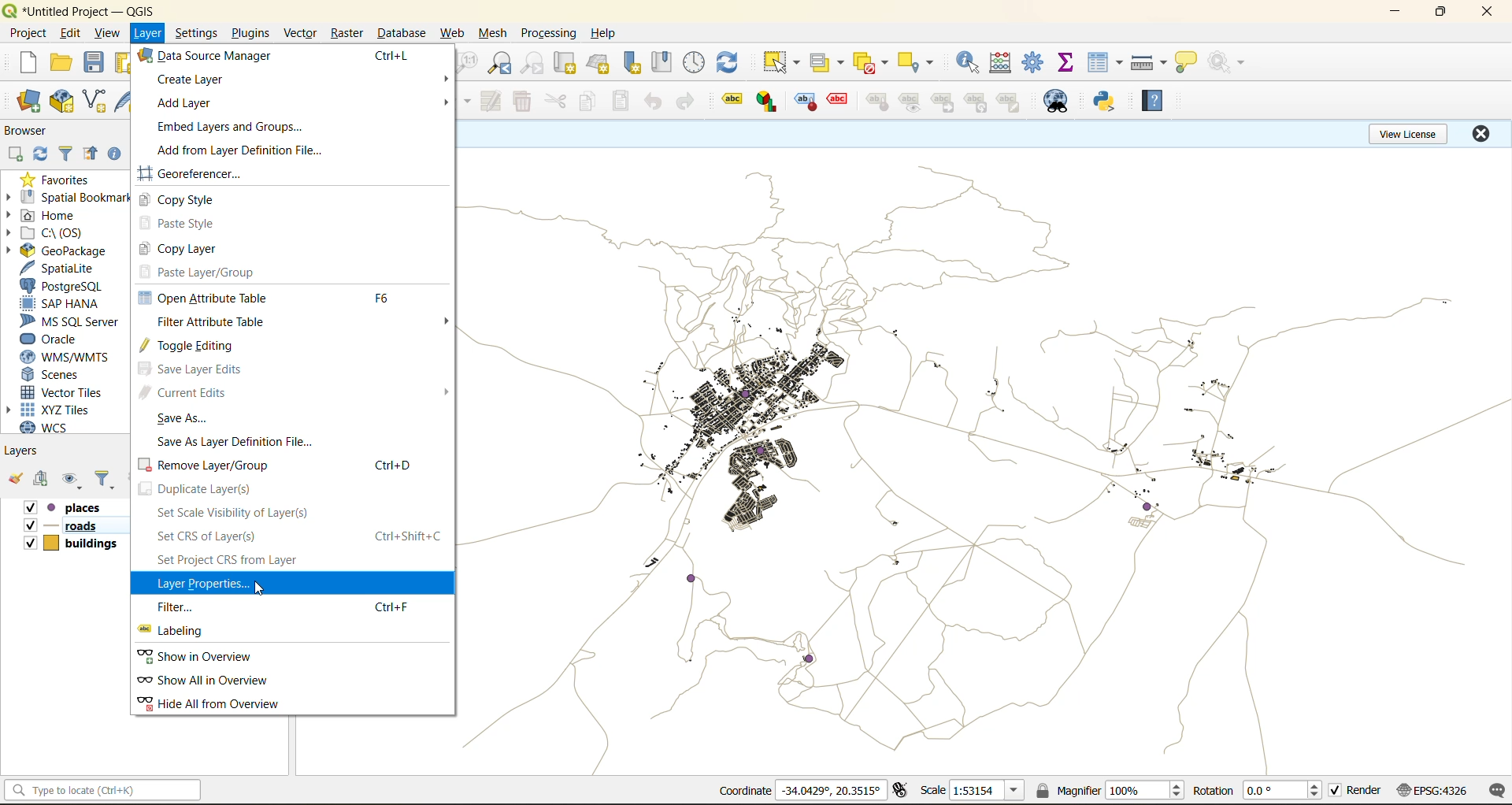  What do you see at coordinates (28, 129) in the screenshot?
I see `browser` at bounding box center [28, 129].